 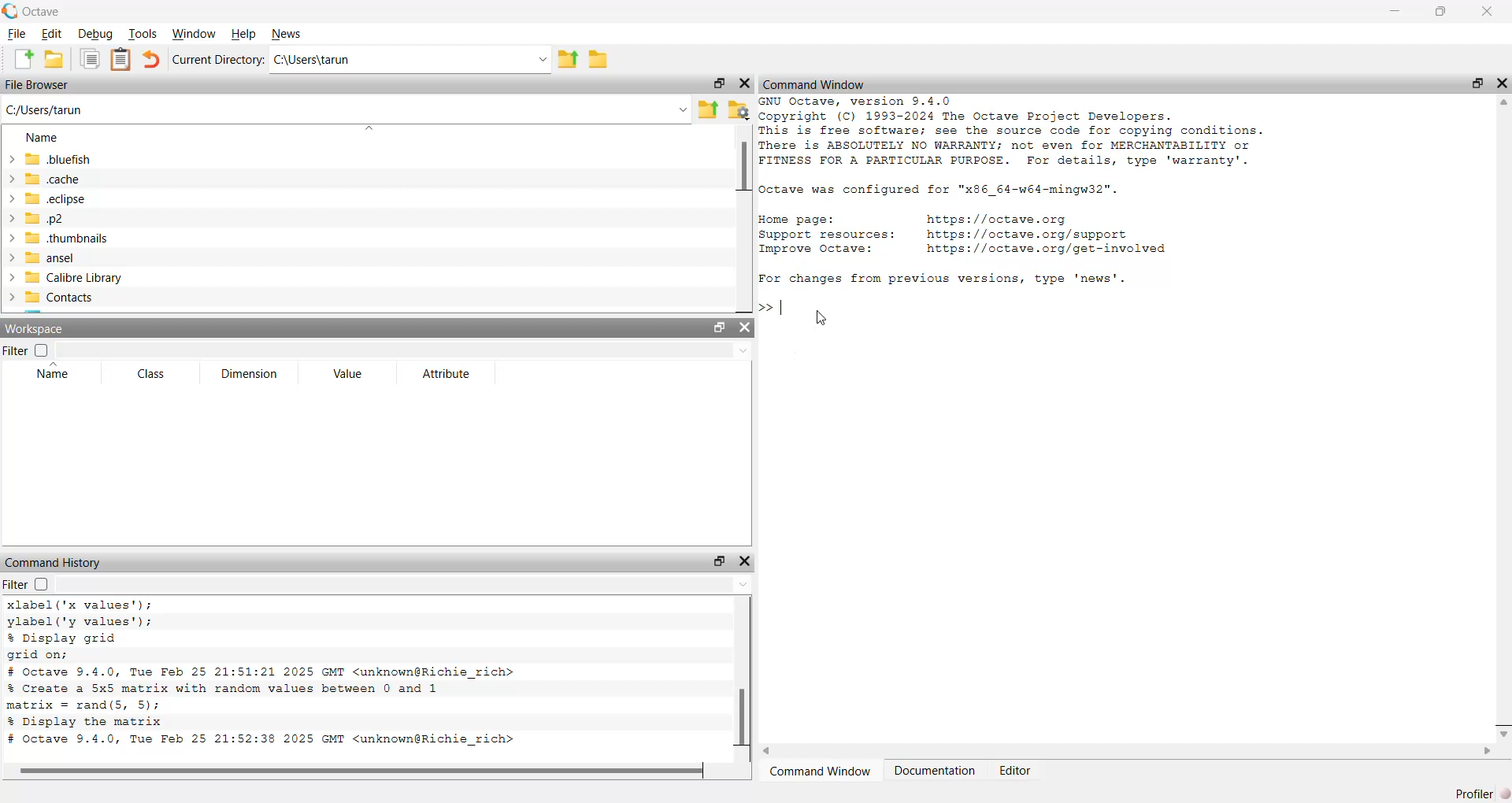 What do you see at coordinates (813, 81) in the screenshot?
I see `Command Window.` at bounding box center [813, 81].